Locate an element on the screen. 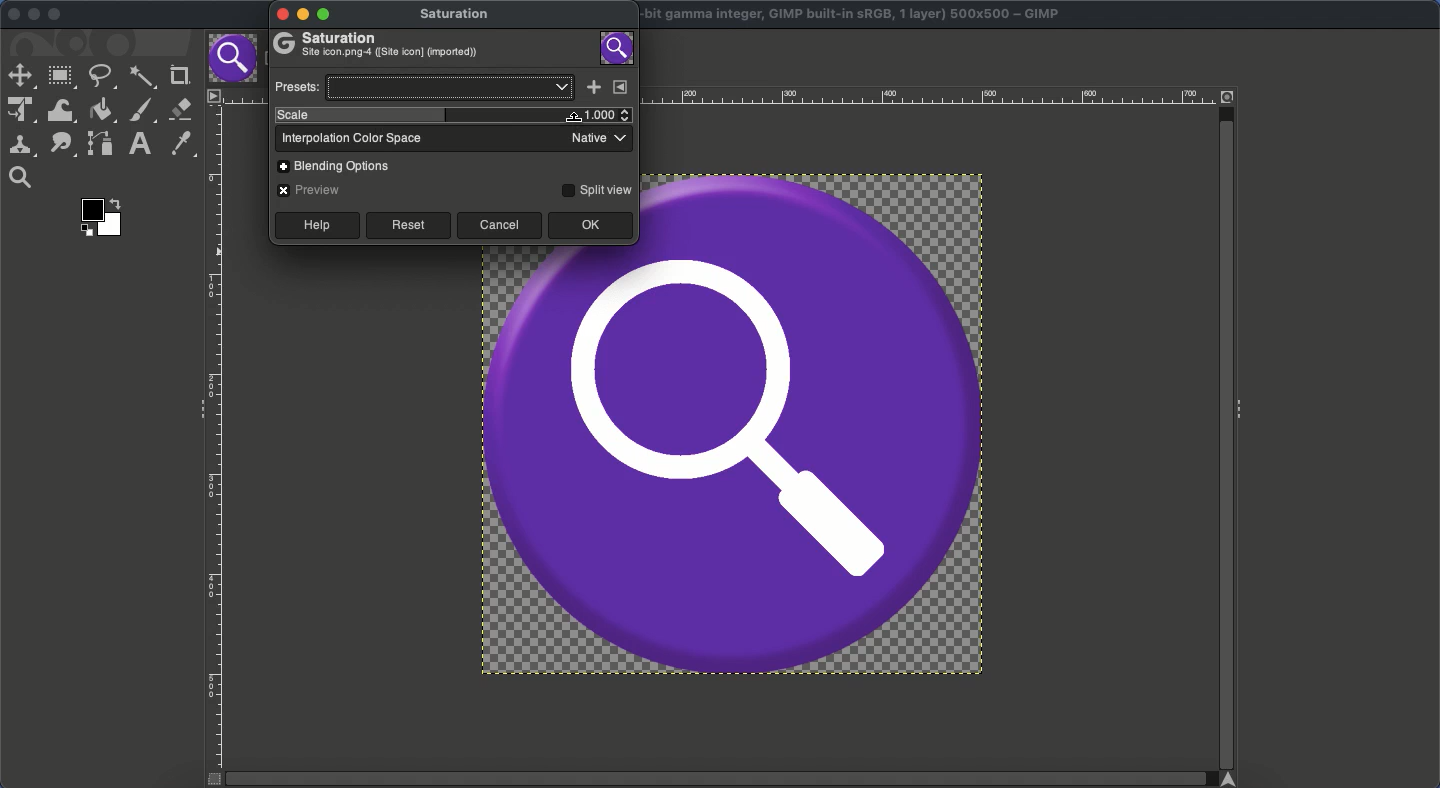 The height and width of the screenshot is (788, 1440). OK is located at coordinates (591, 226).